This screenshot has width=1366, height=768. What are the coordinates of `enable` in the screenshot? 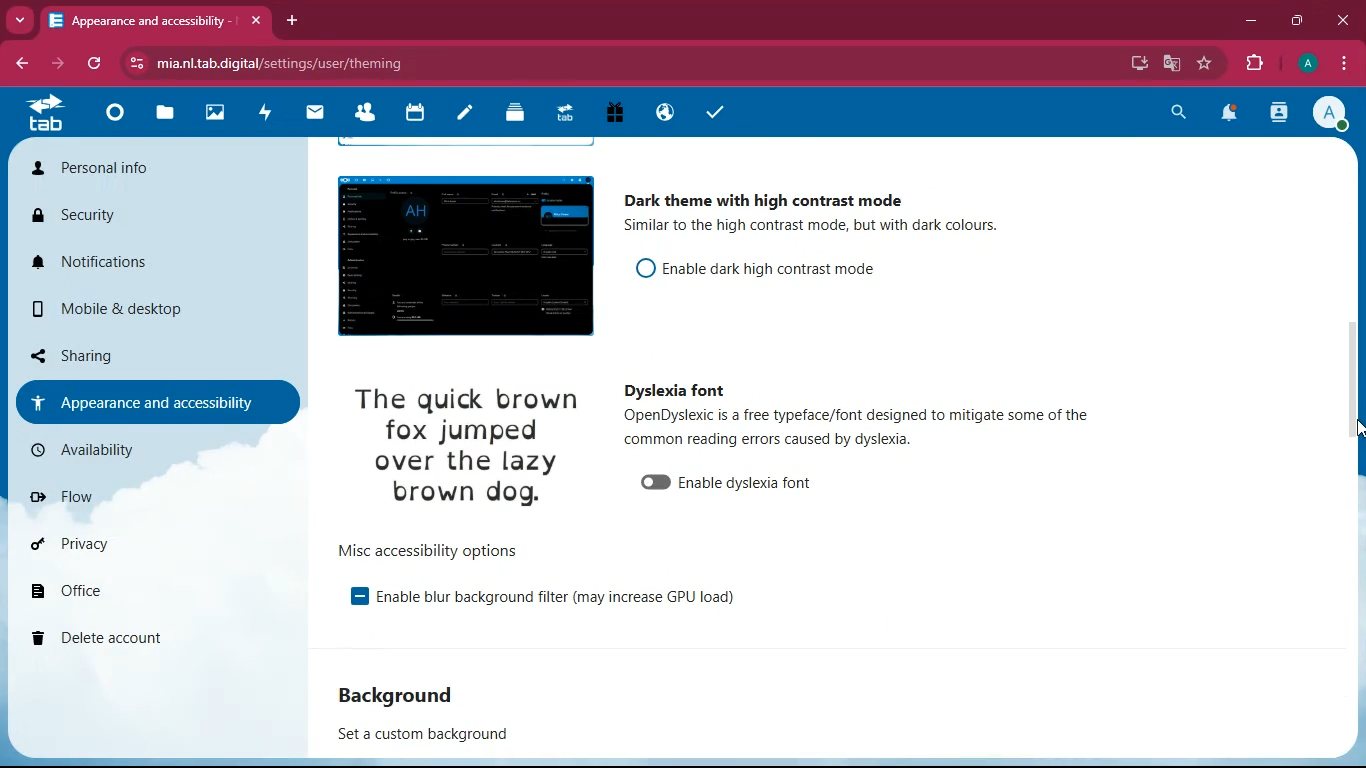 It's located at (569, 599).